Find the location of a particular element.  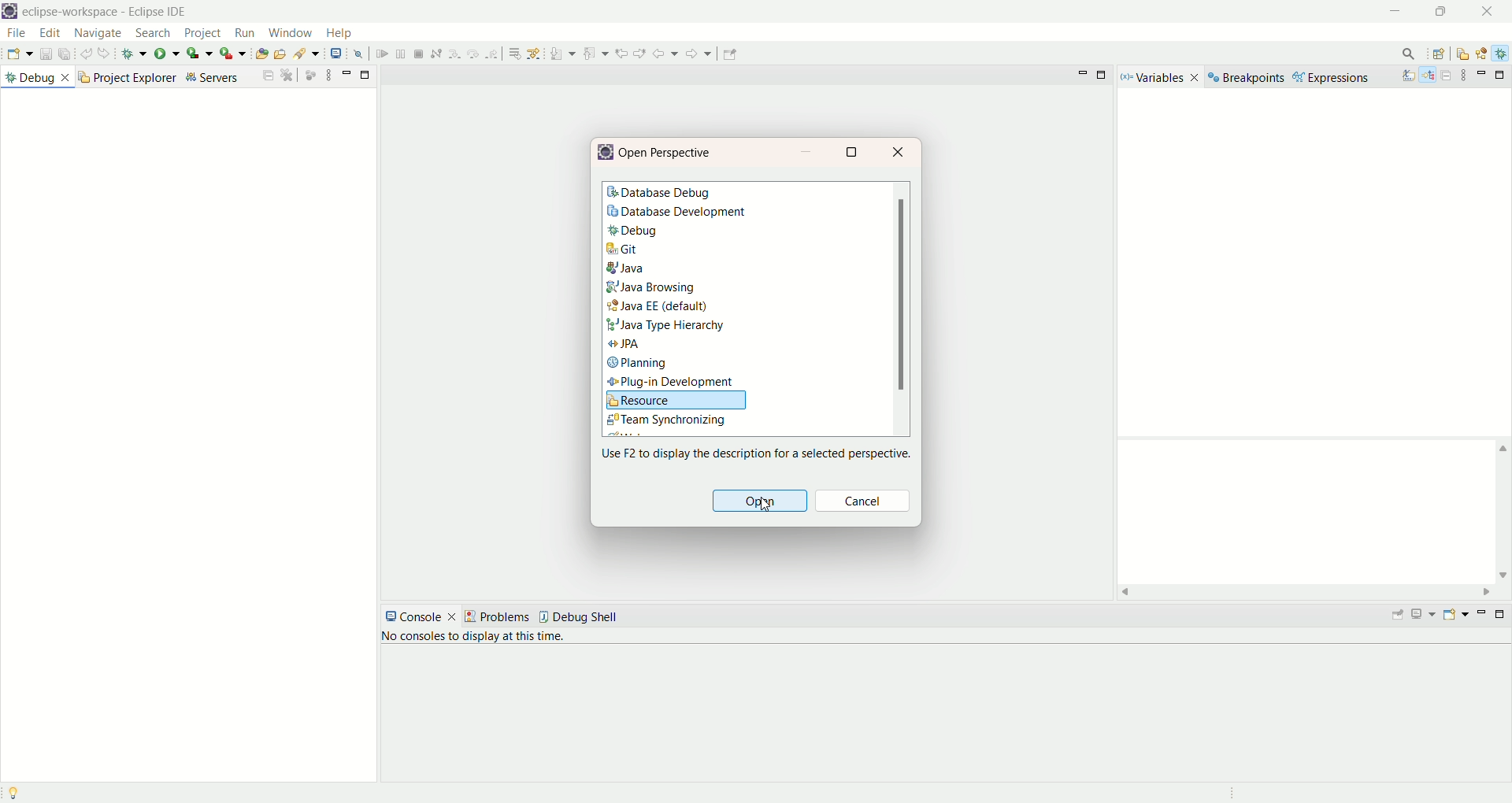

Java Type hierarchy is located at coordinates (665, 327).